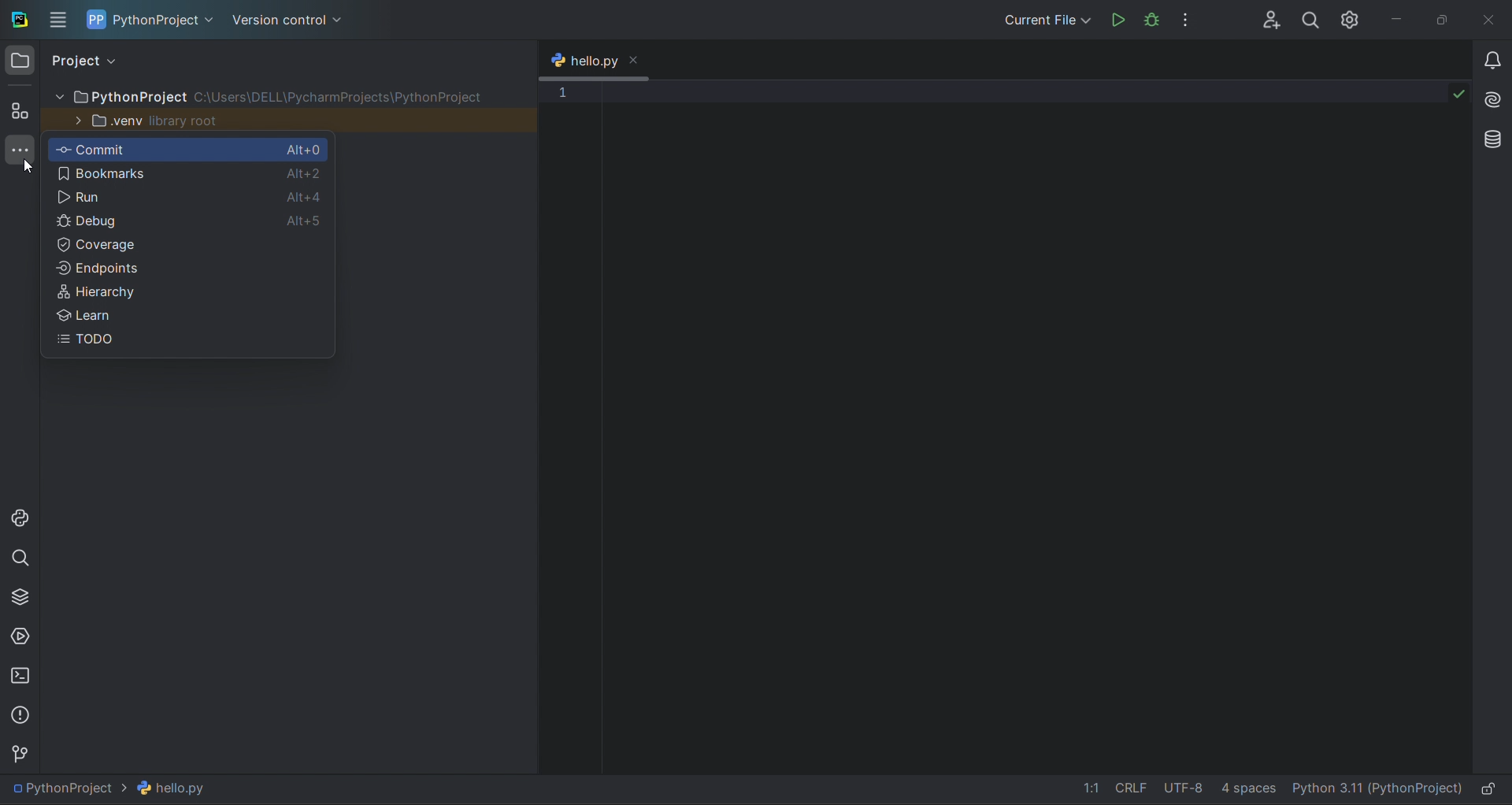 This screenshot has width=1512, height=805. Describe the element at coordinates (562, 93) in the screenshot. I see `1` at that location.